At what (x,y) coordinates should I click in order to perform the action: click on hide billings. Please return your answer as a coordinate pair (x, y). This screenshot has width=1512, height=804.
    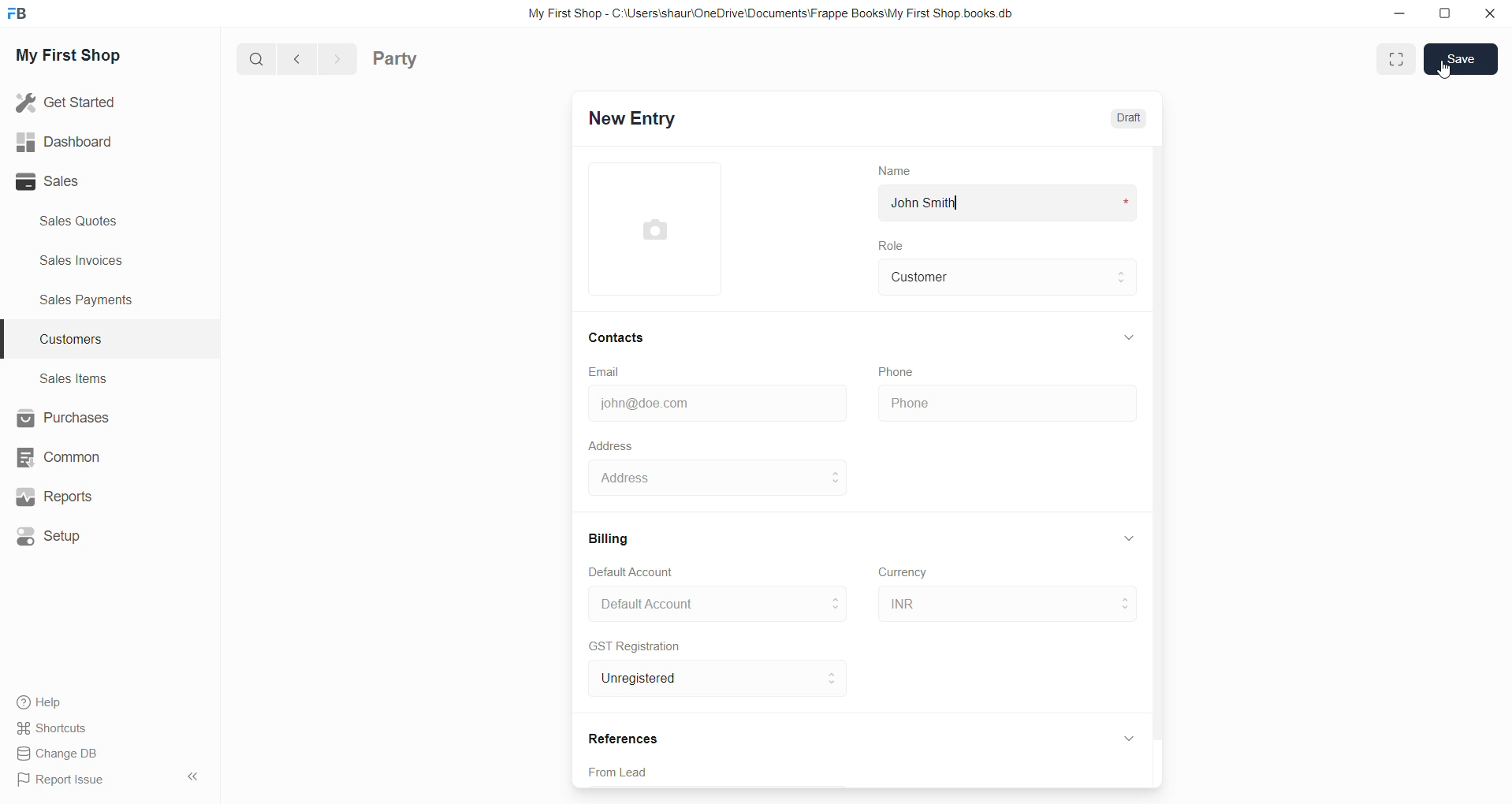
    Looking at the image, I should click on (1128, 538).